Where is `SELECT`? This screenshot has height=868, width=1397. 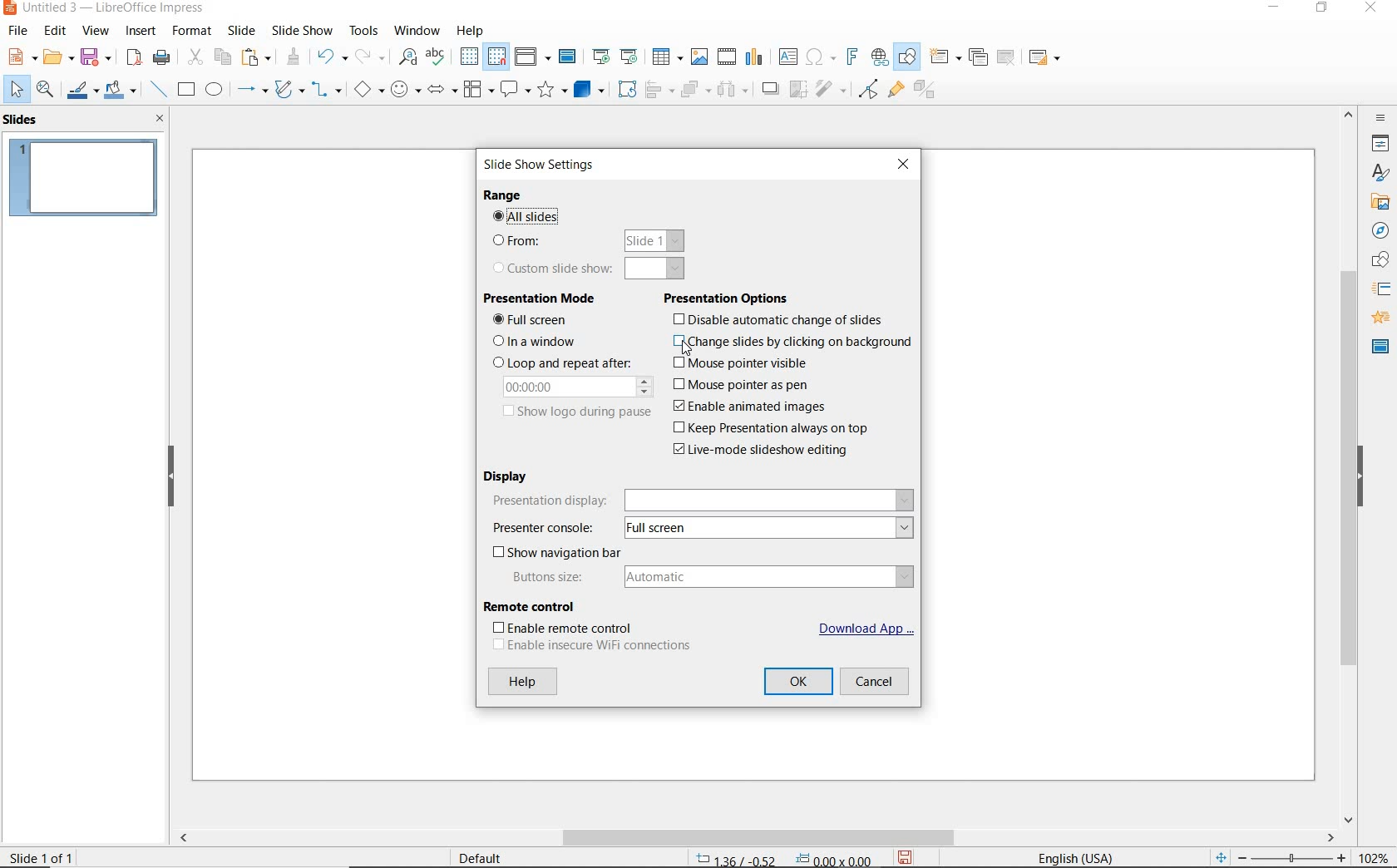 SELECT is located at coordinates (13, 88).